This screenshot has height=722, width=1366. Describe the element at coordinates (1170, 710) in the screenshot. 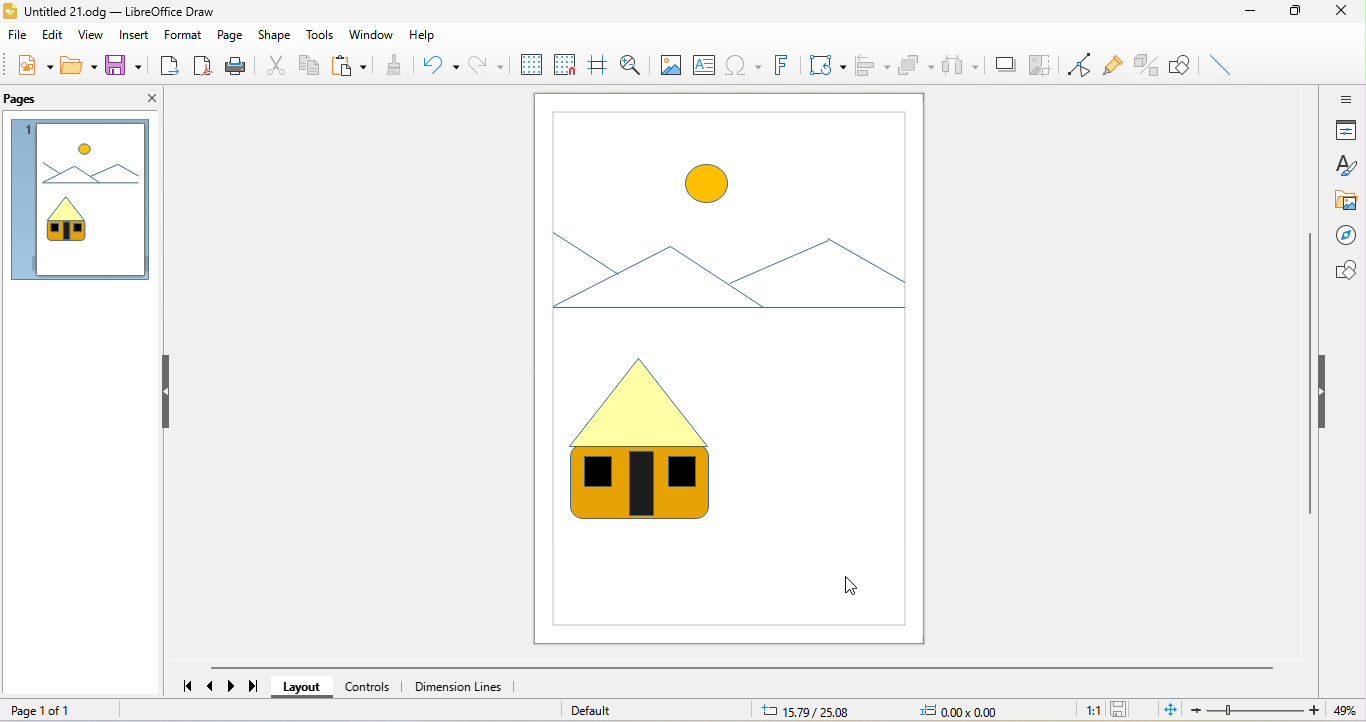

I see `fit page ` at that location.